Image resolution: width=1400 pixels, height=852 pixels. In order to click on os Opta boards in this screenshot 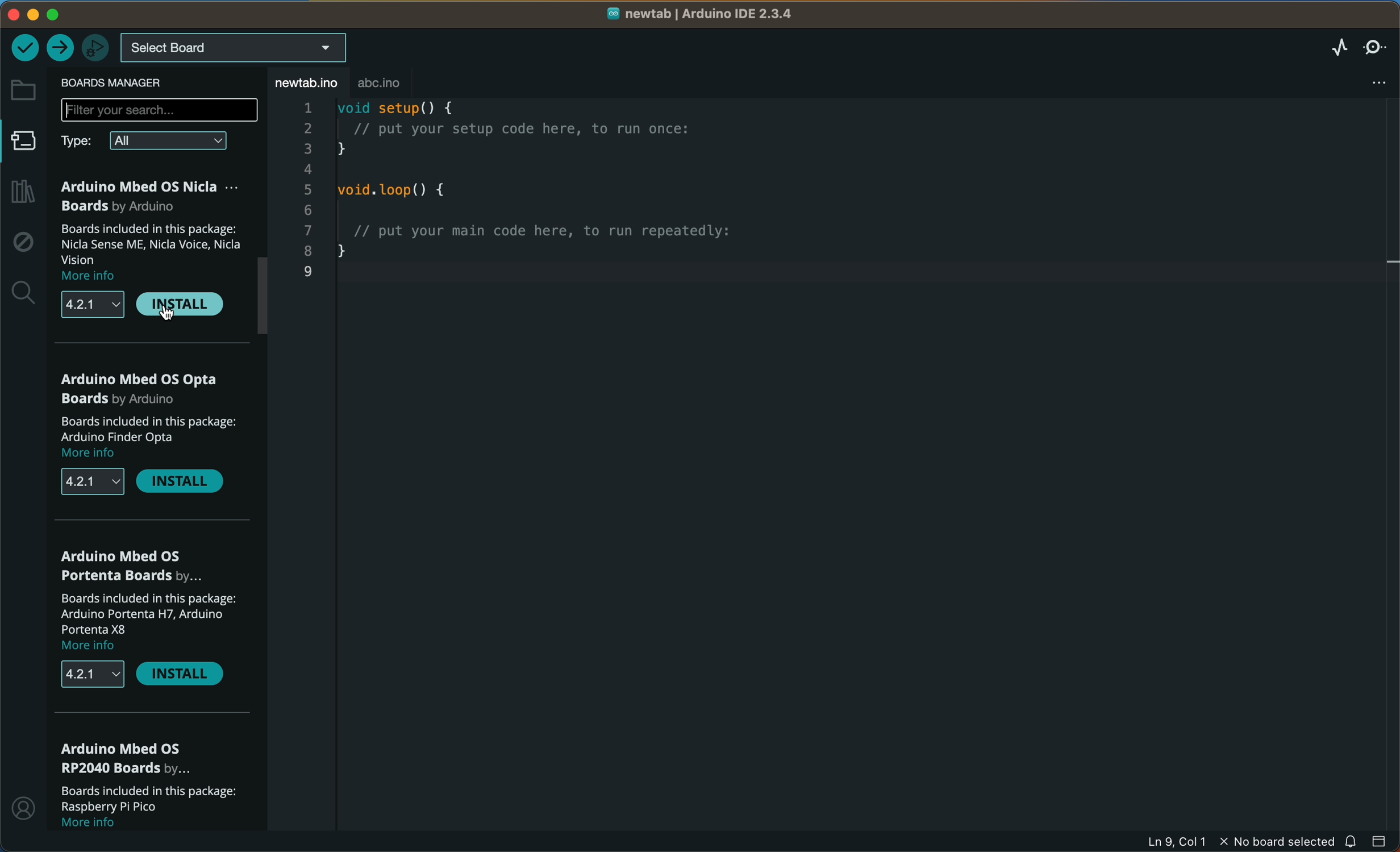, I will do `click(141, 389)`.